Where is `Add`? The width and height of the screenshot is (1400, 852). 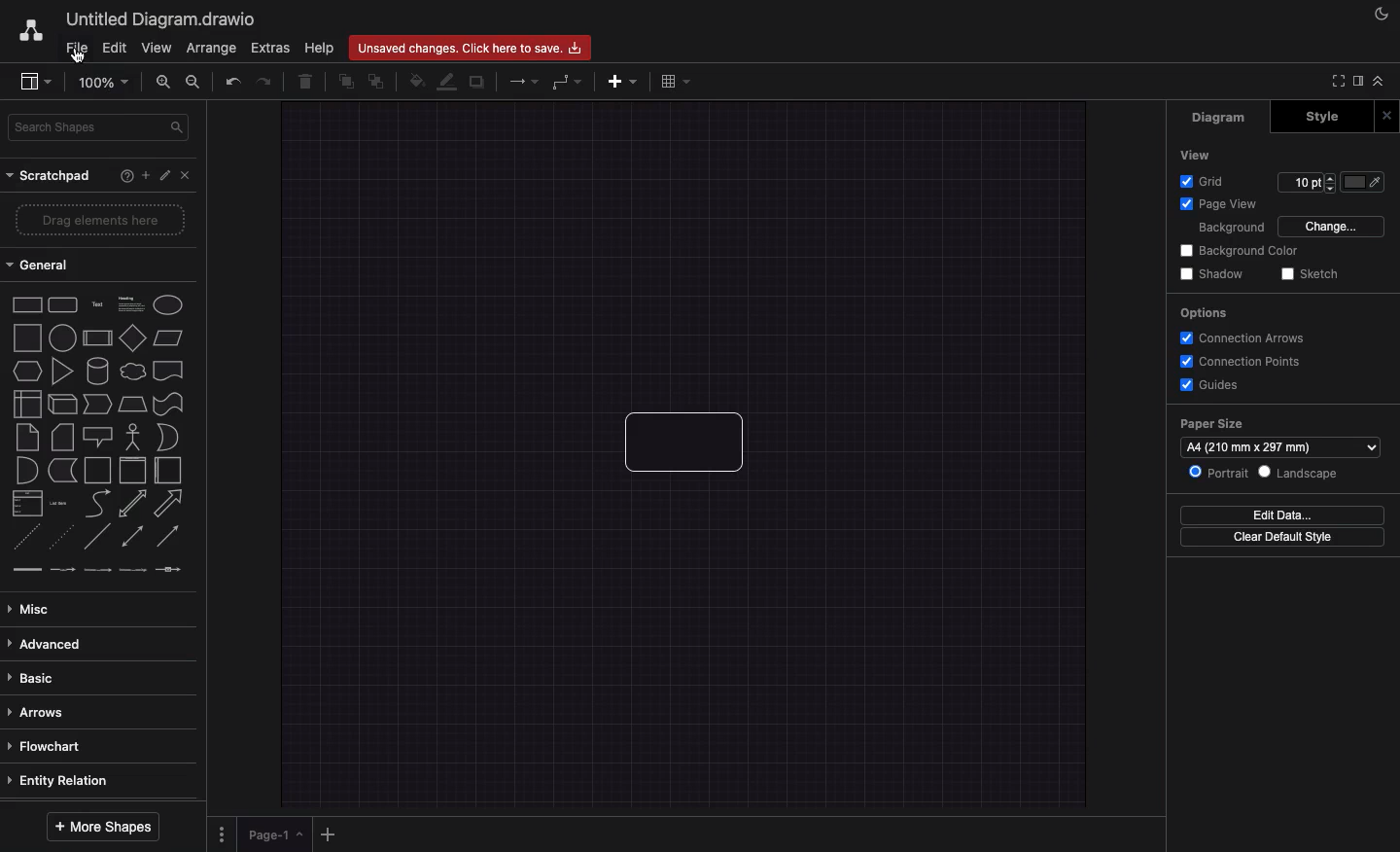
Add is located at coordinates (142, 176).